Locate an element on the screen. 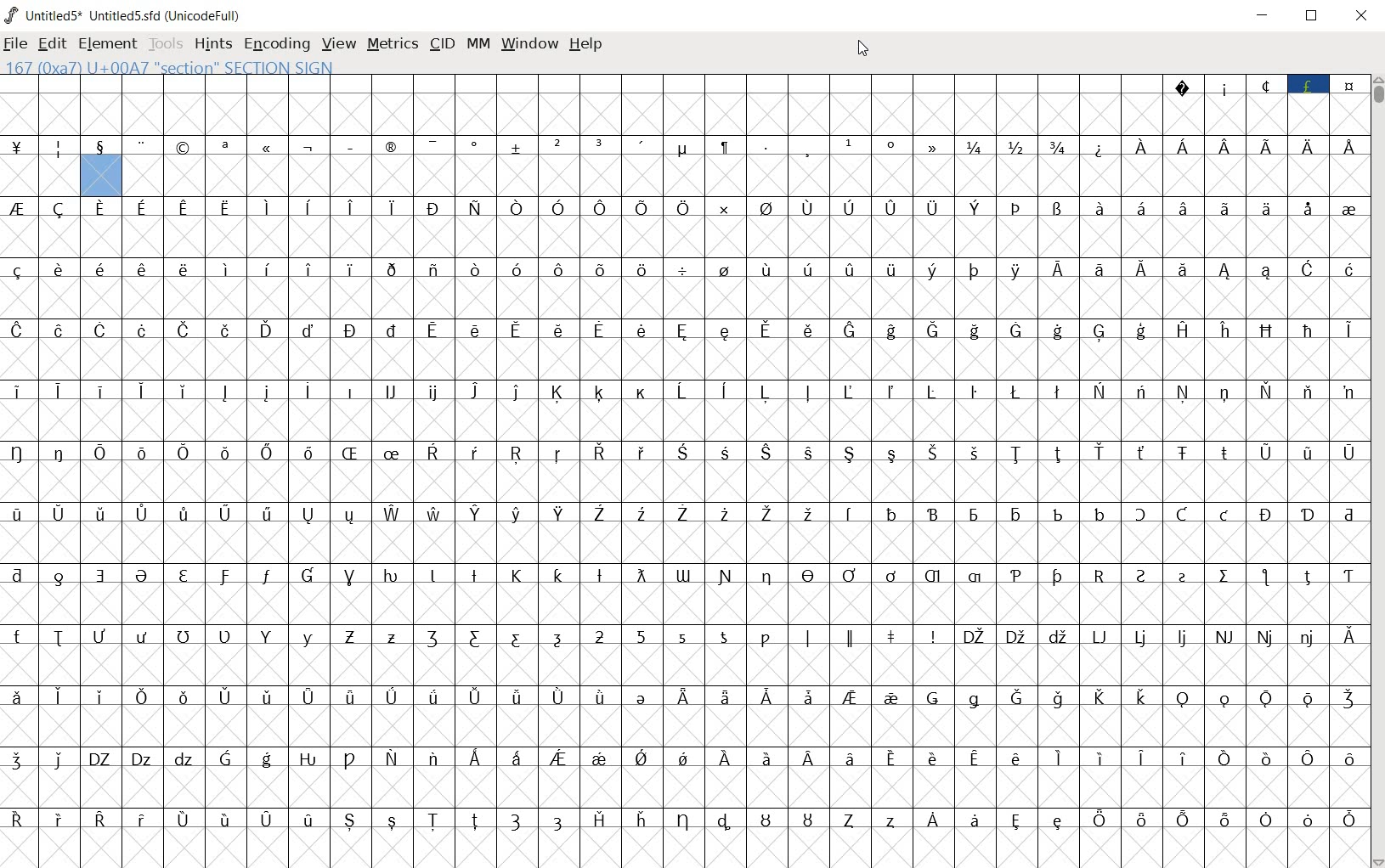 The image size is (1385, 868). empty cells is located at coordinates (41, 177).